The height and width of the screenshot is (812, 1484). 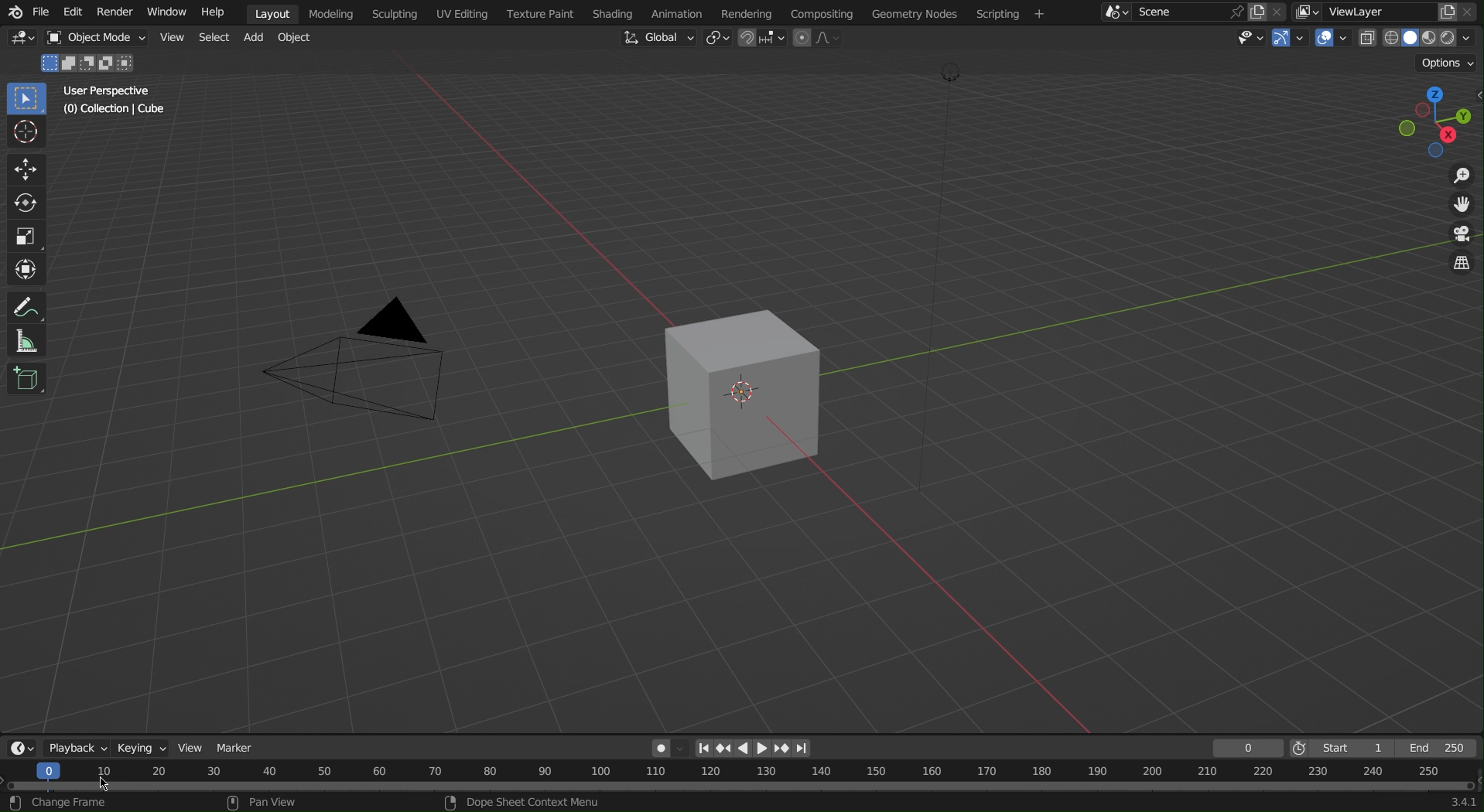 What do you see at coordinates (118, 13) in the screenshot?
I see `Render` at bounding box center [118, 13].